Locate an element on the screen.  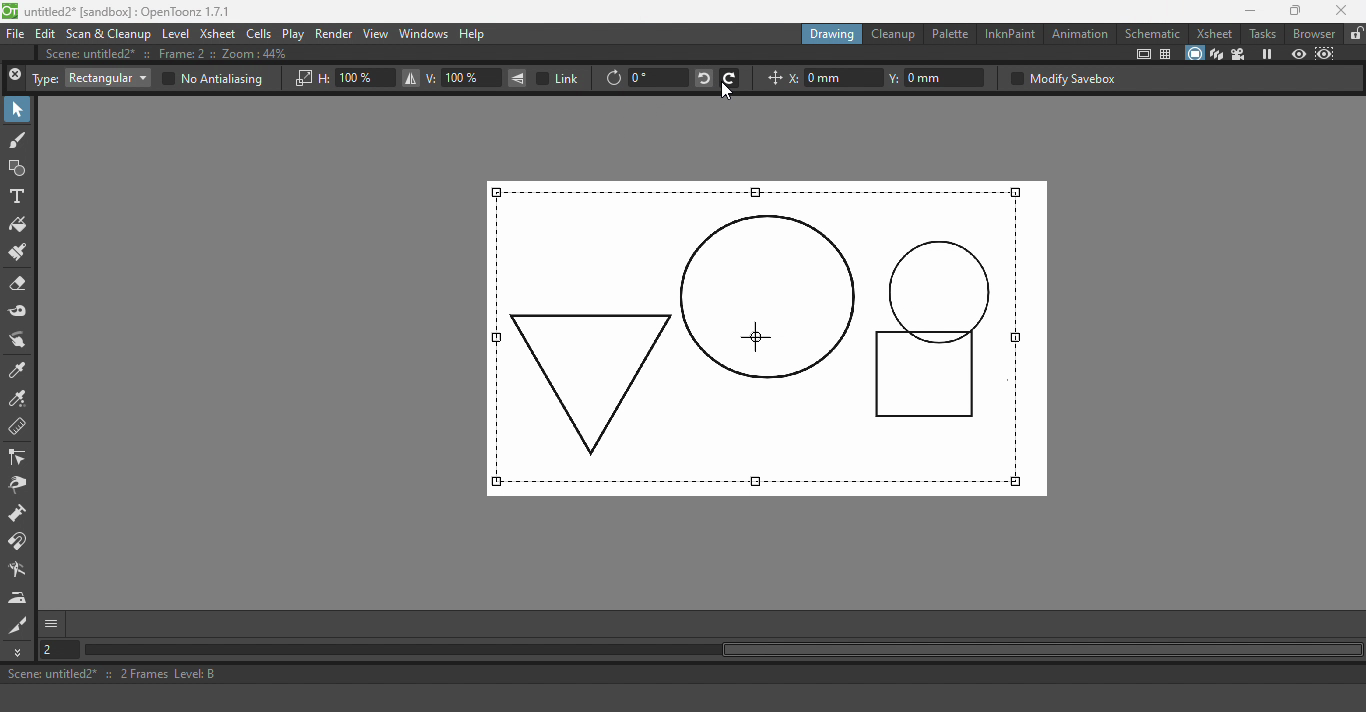
Paintbrush tool is located at coordinates (20, 253).